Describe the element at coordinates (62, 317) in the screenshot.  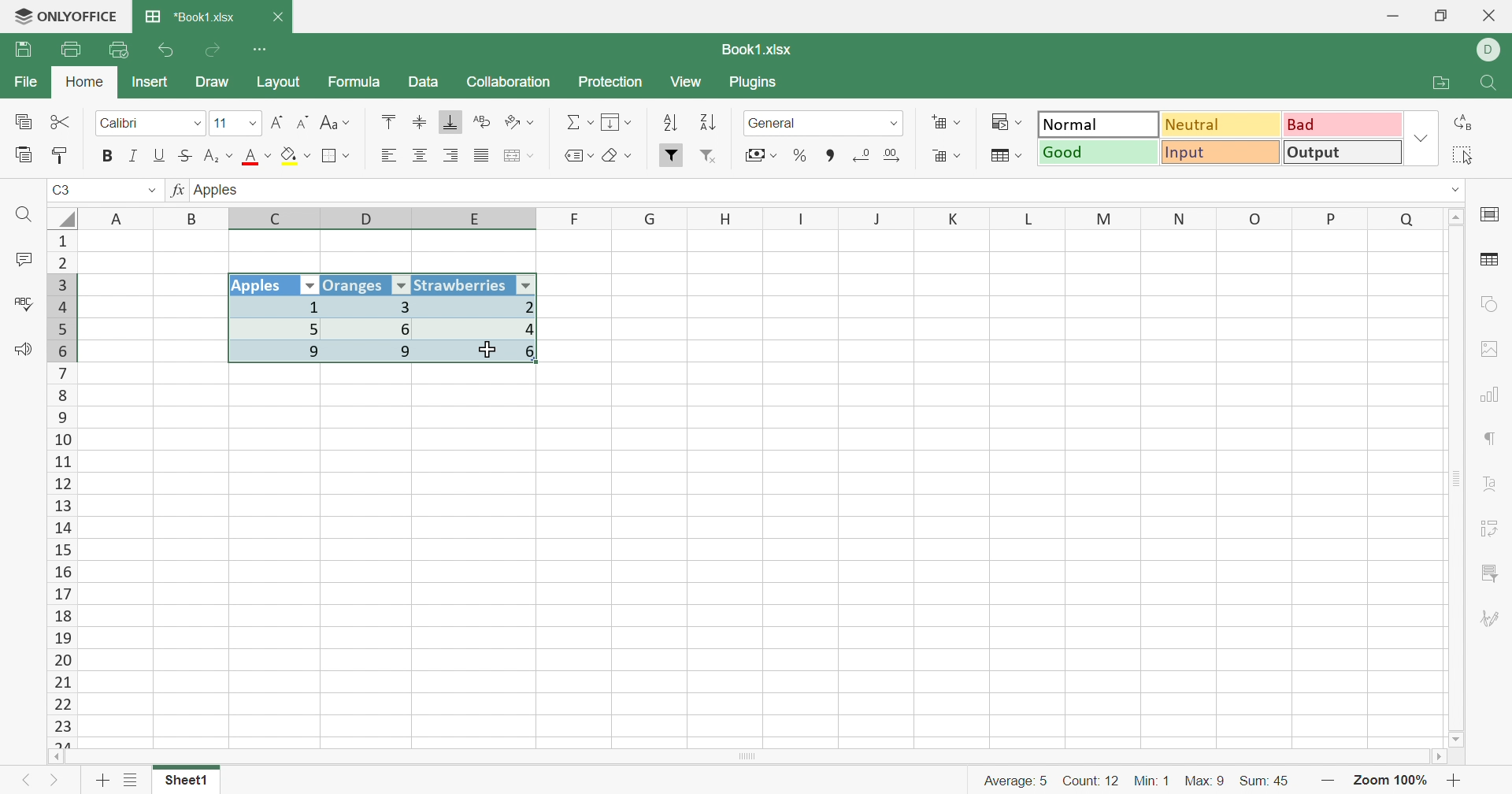
I see `Row numbers 3, 4, 5, 6 and 7 highlighted` at that location.